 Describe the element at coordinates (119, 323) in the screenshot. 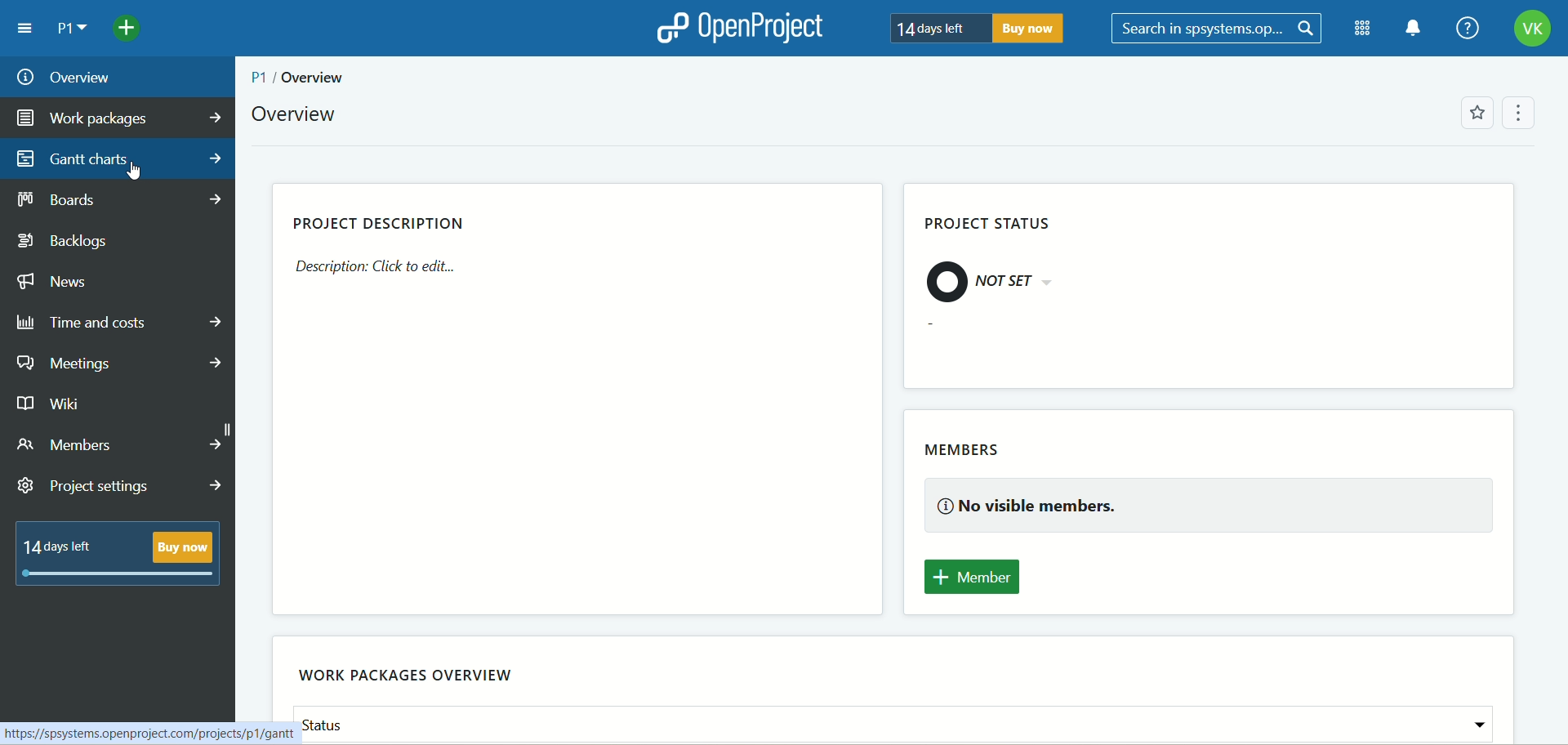

I see `time and costs` at that location.